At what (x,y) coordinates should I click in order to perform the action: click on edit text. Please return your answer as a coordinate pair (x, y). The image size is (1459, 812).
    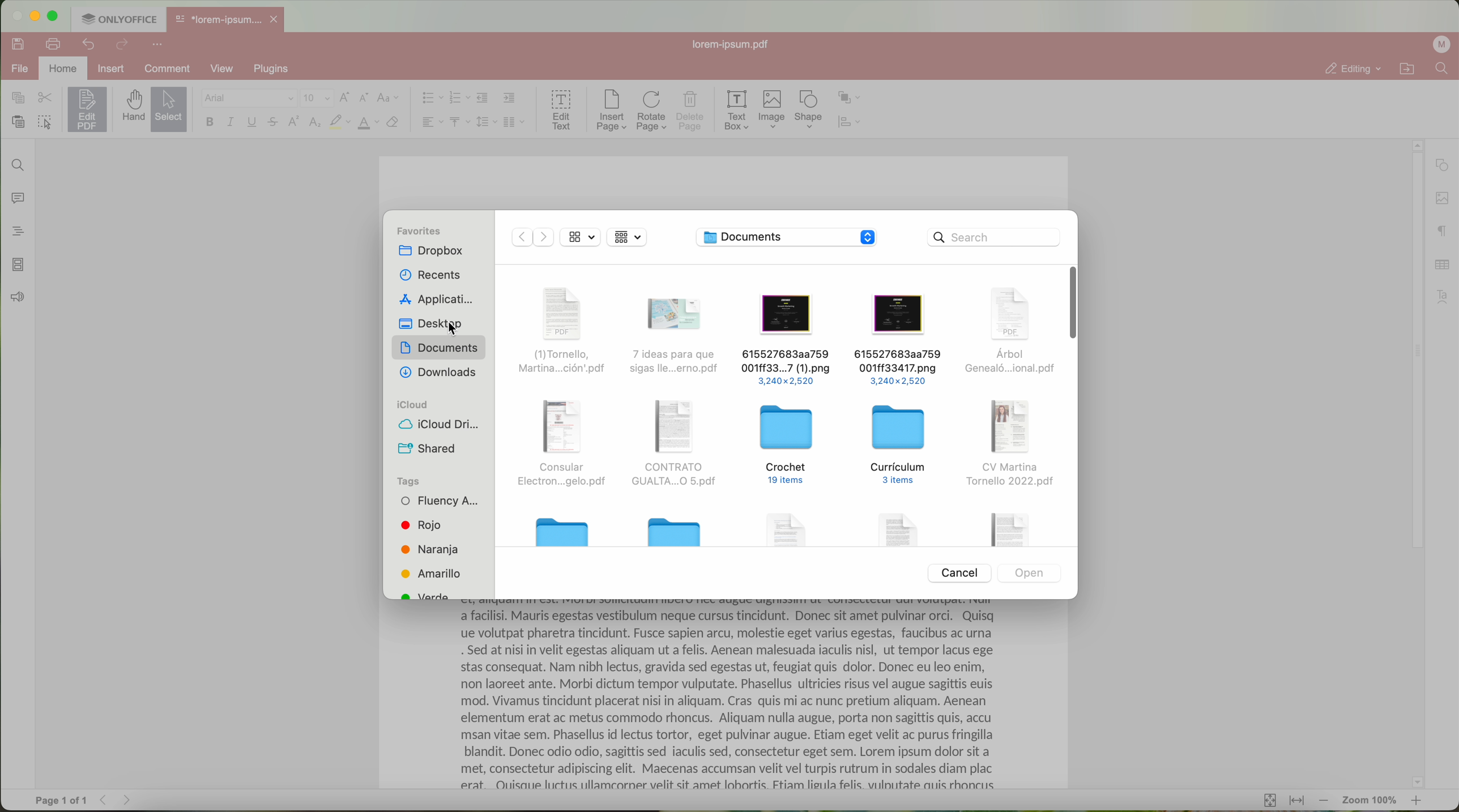
    Looking at the image, I should click on (562, 109).